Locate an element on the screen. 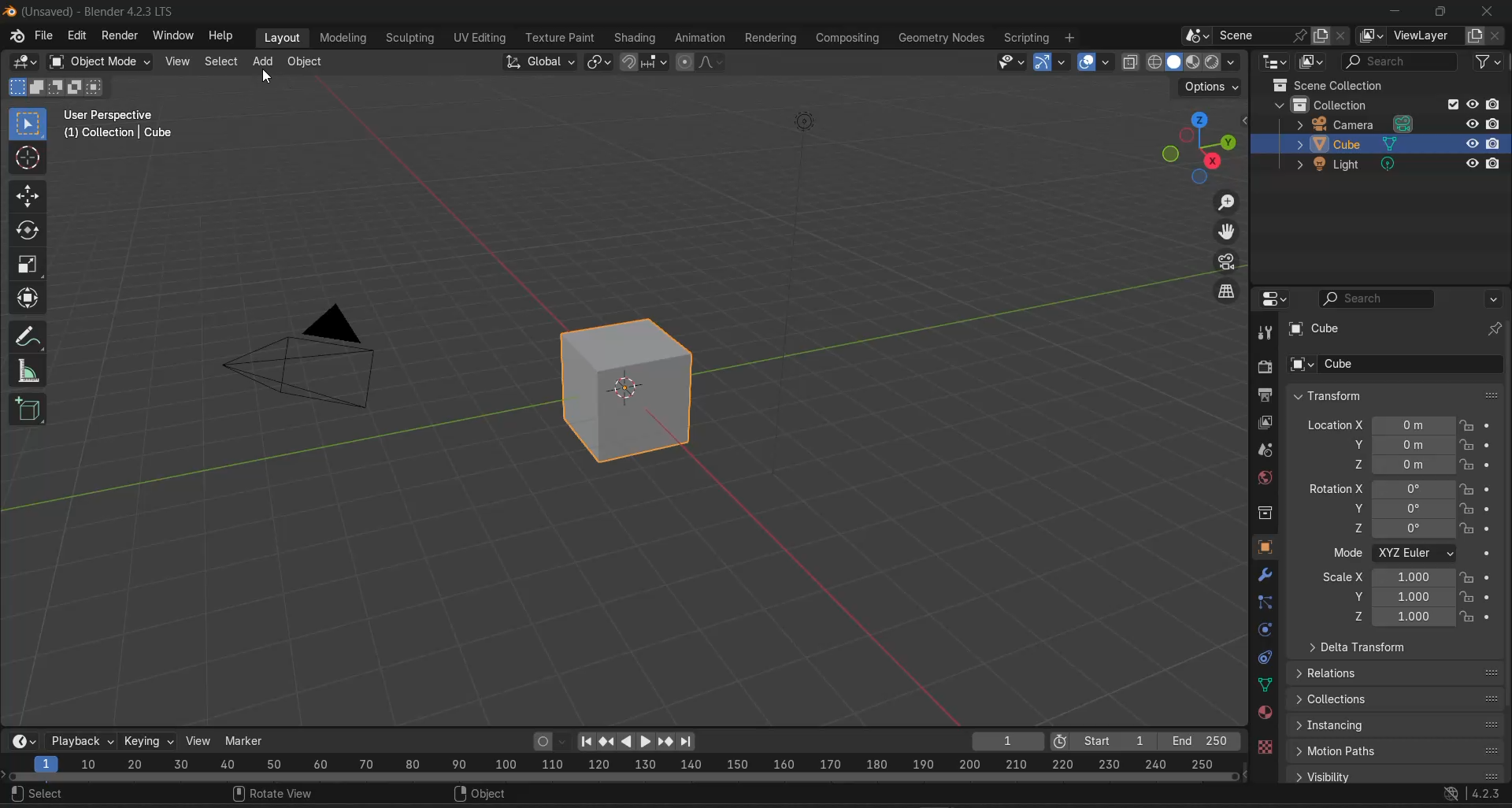 Image resolution: width=1512 pixels, height=808 pixels. disable in renders is located at coordinates (1495, 124).